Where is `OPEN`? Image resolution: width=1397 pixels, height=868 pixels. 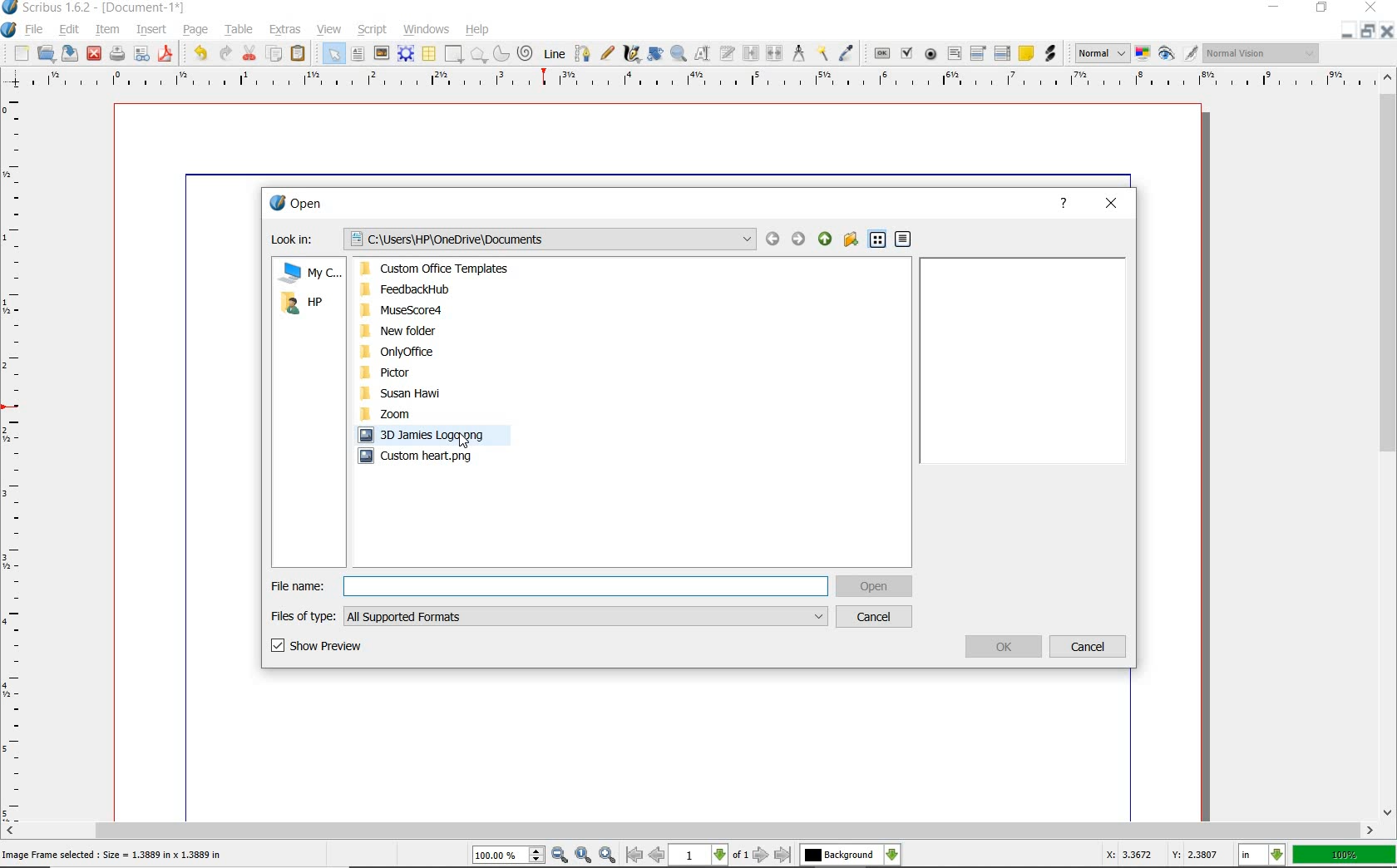 OPEN is located at coordinates (875, 587).